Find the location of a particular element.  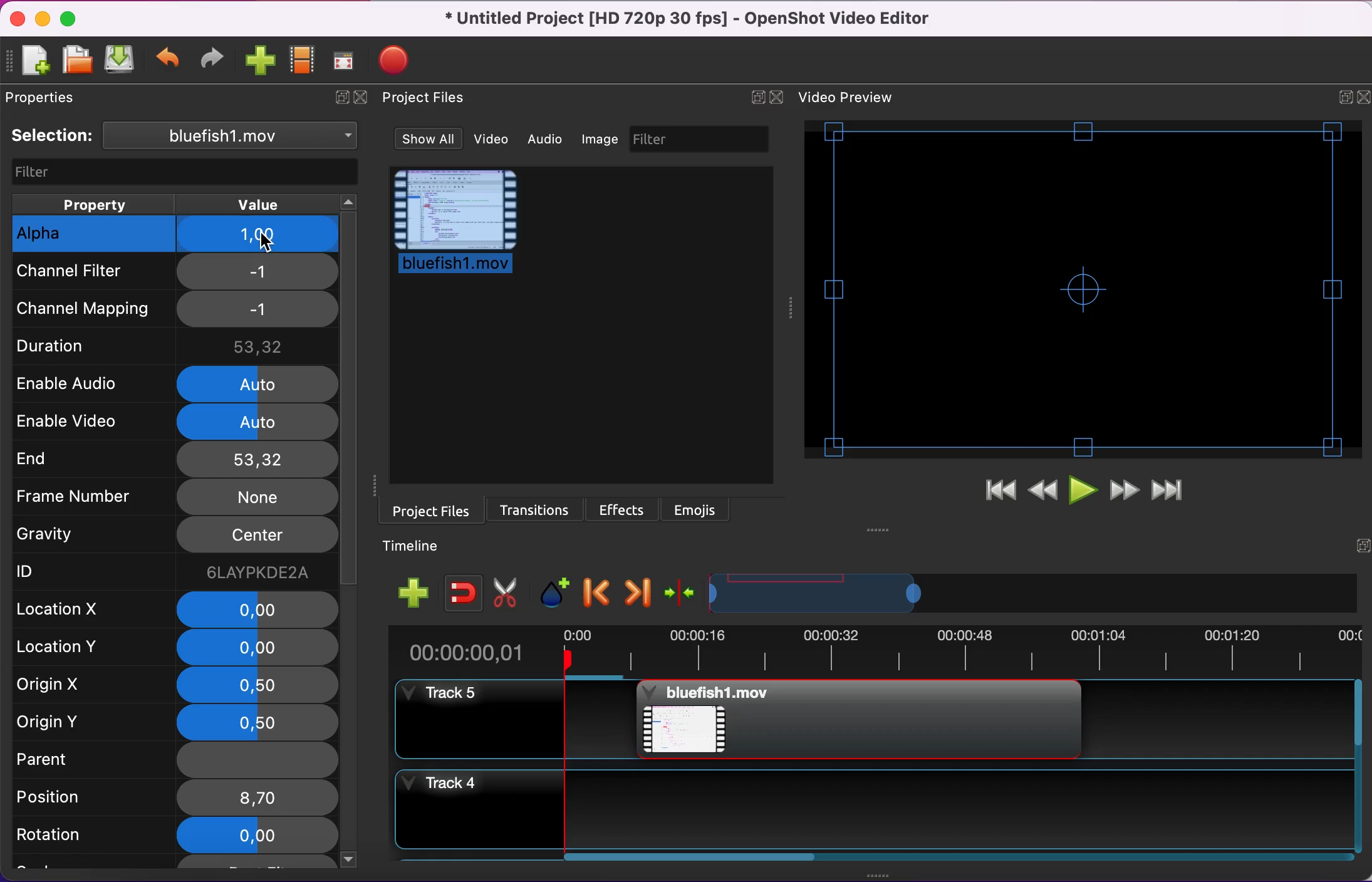

enable video is located at coordinates (89, 420).